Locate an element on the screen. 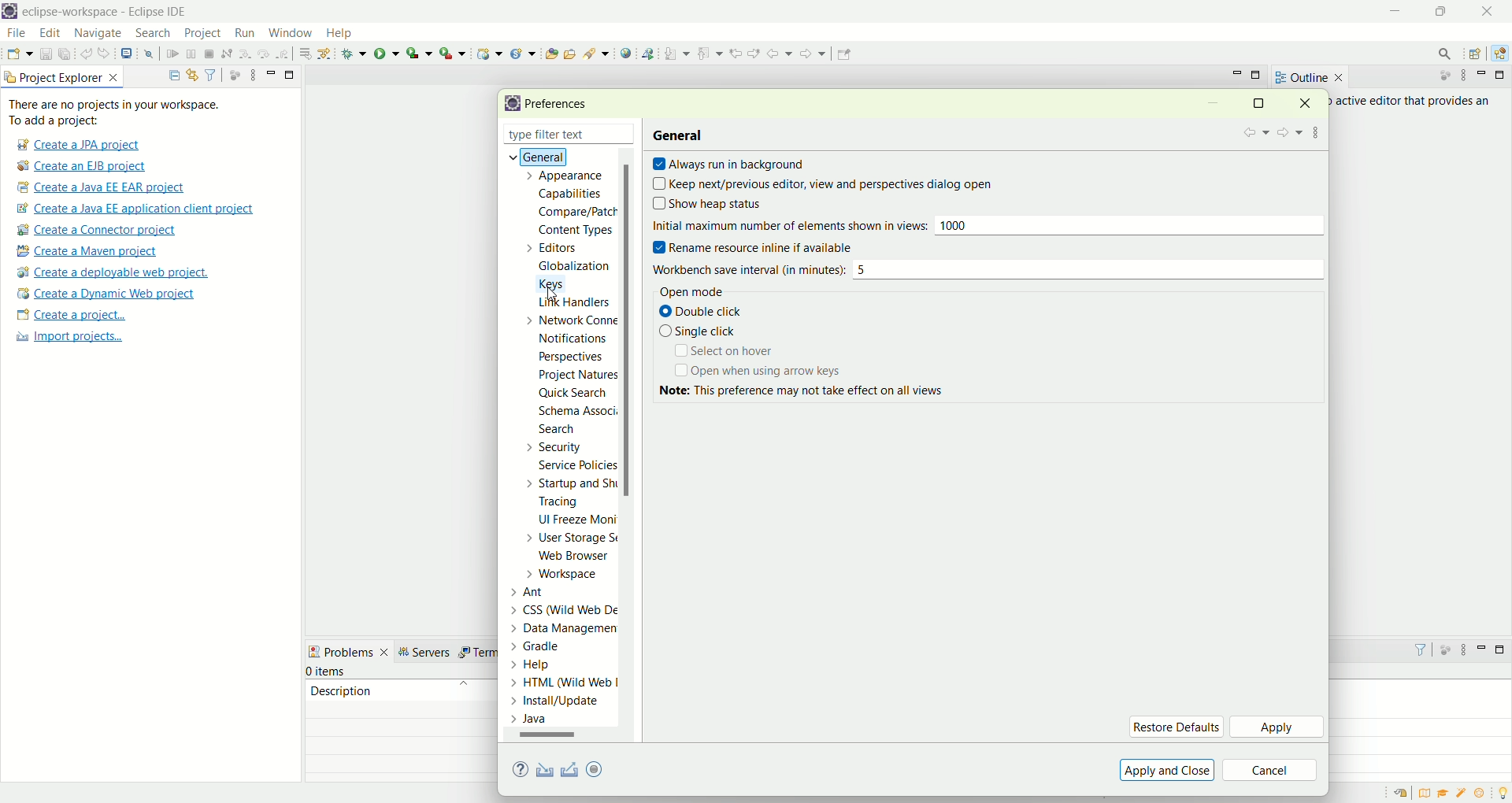 Image resolution: width=1512 pixels, height=803 pixels. save is located at coordinates (47, 54).